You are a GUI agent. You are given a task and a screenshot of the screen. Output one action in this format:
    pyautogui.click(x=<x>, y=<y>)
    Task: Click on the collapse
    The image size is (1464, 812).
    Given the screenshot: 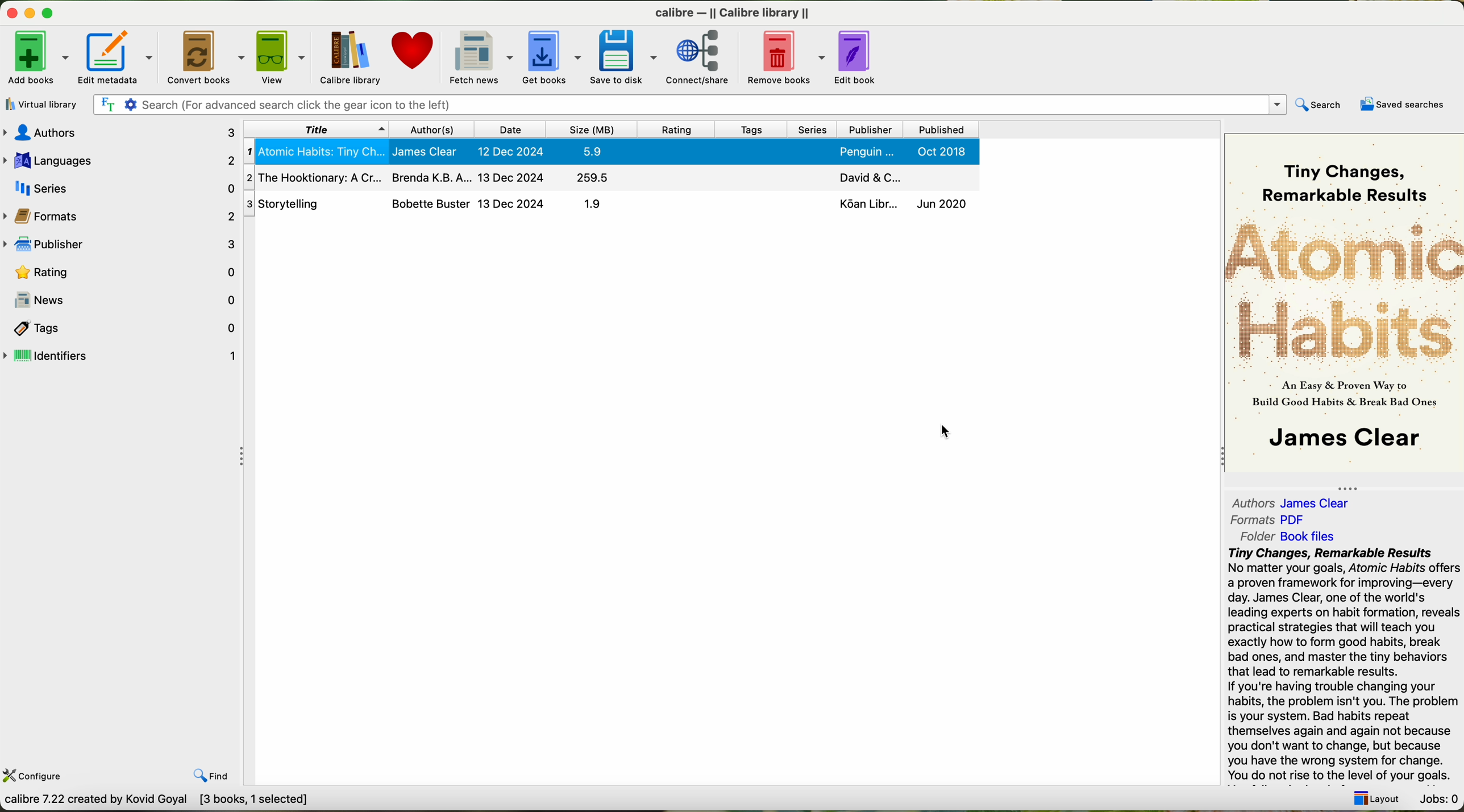 What is the action you would take?
    pyautogui.click(x=1218, y=458)
    